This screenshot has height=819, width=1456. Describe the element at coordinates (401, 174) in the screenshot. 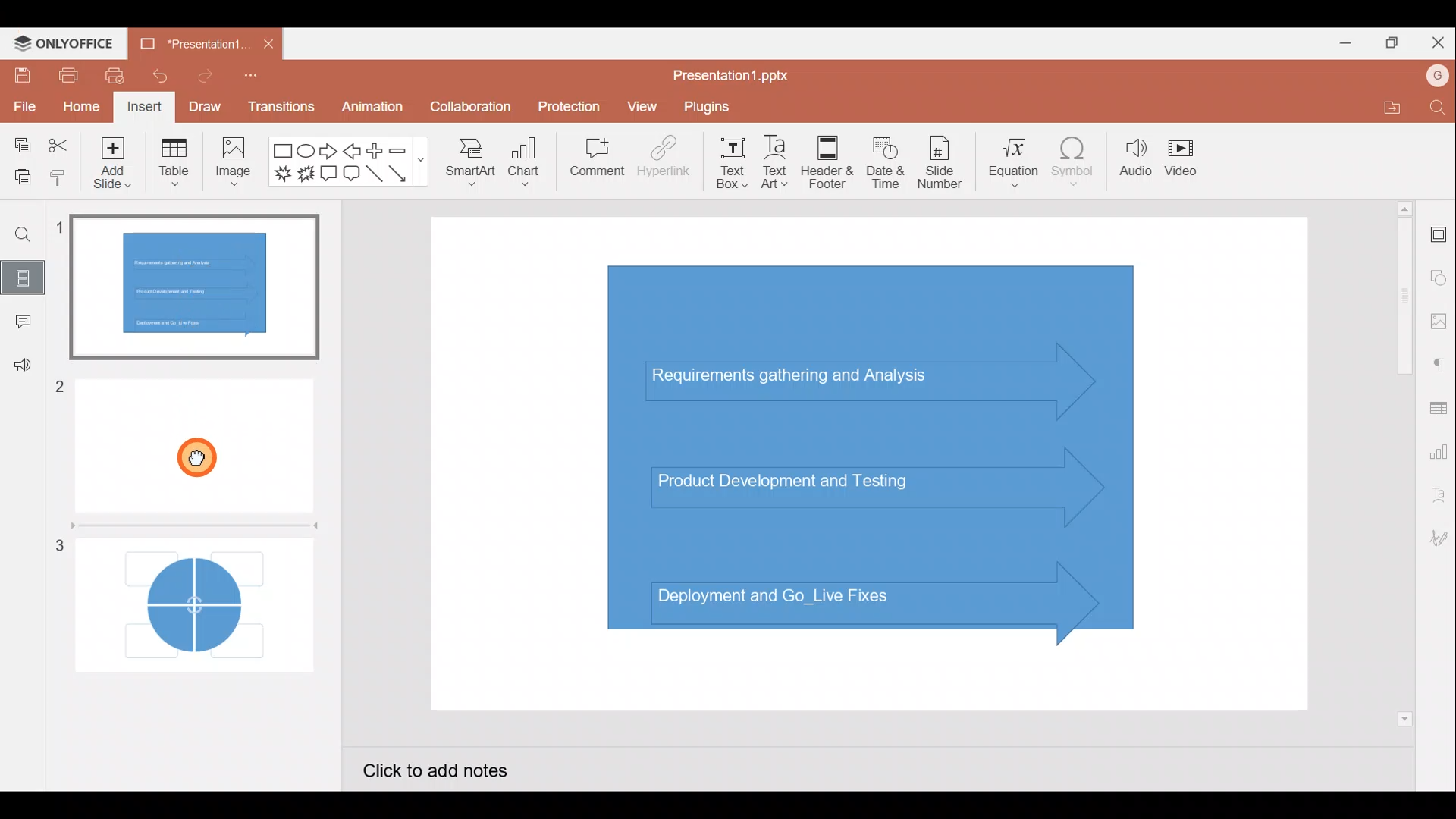

I see `Arrow` at that location.